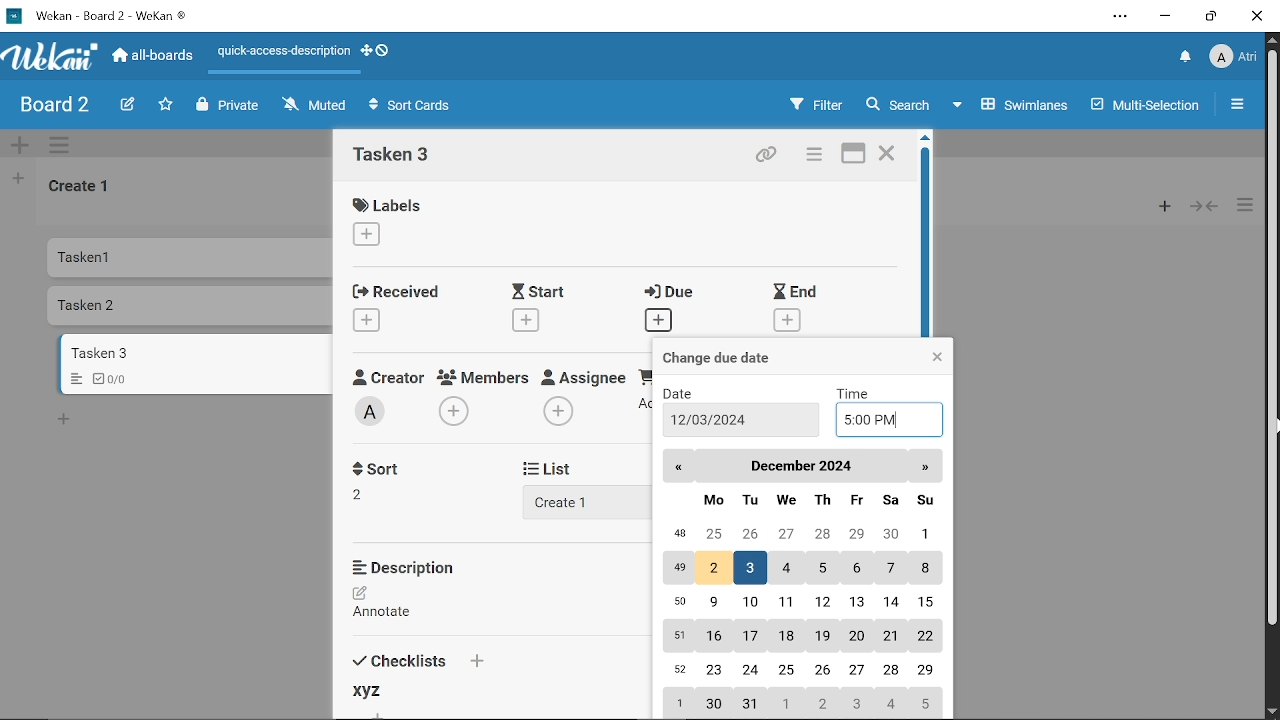  I want to click on Card actions, so click(812, 156).